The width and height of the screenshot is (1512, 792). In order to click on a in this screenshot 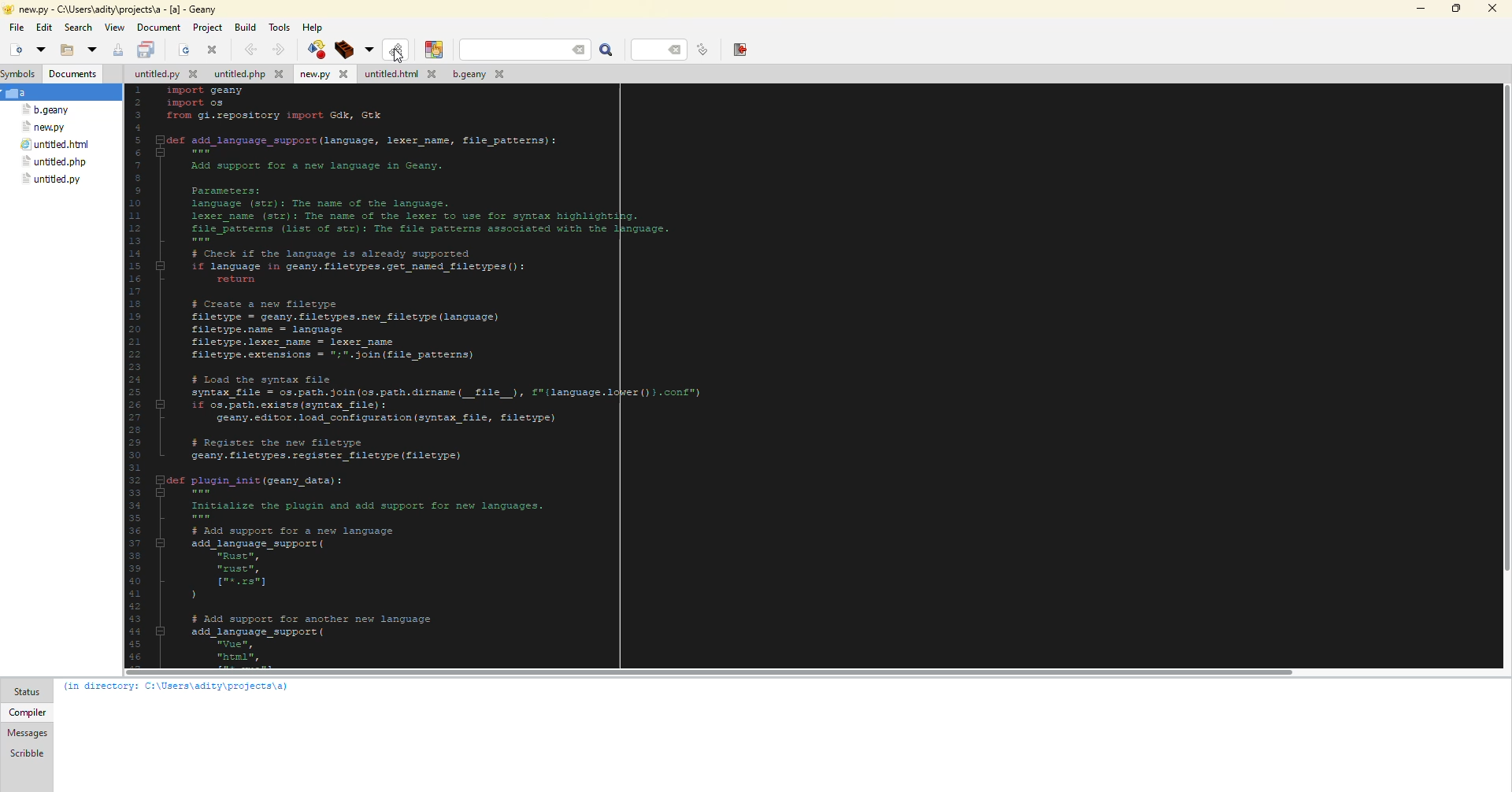, I will do `click(20, 93)`.